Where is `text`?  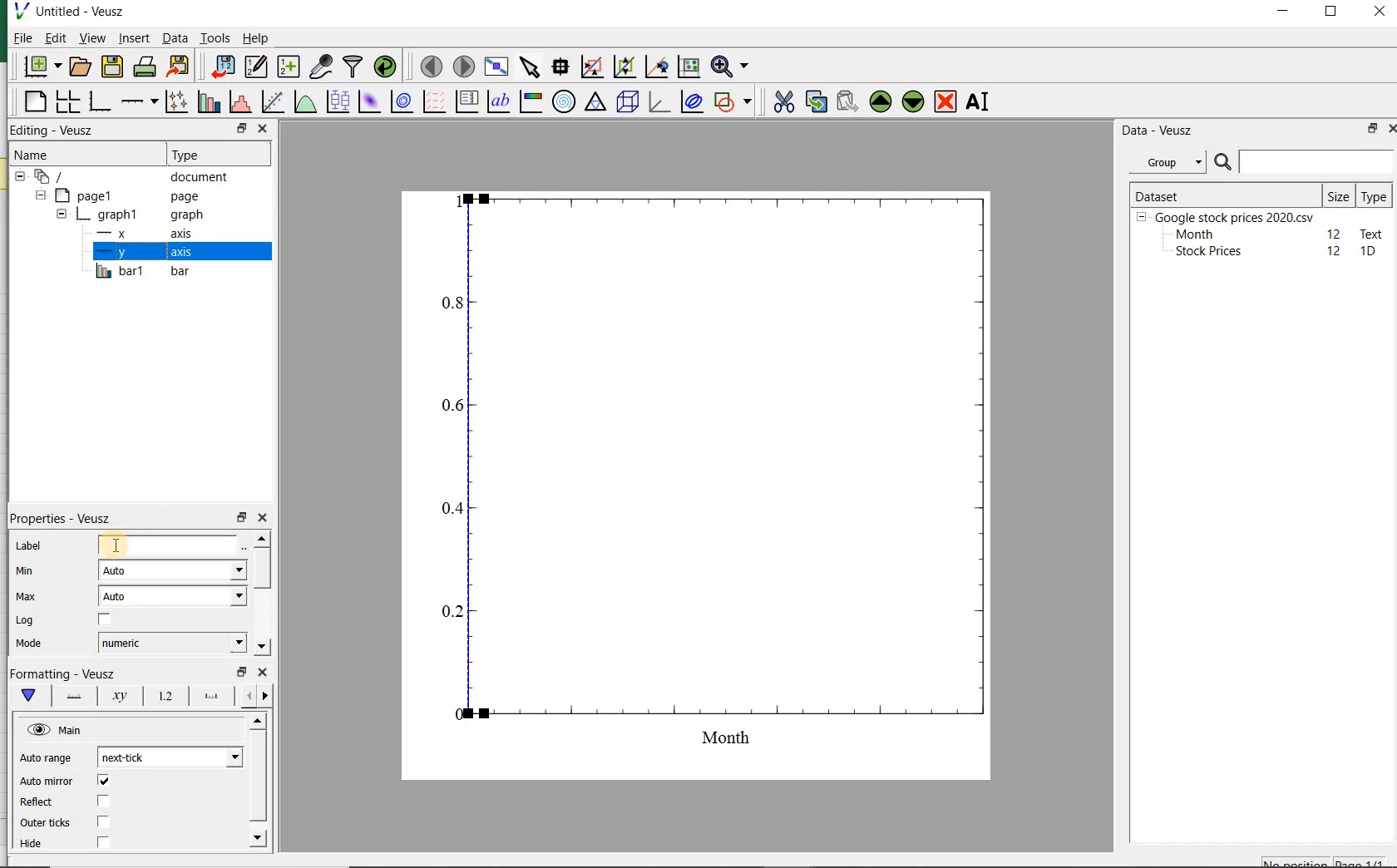 text is located at coordinates (1369, 233).